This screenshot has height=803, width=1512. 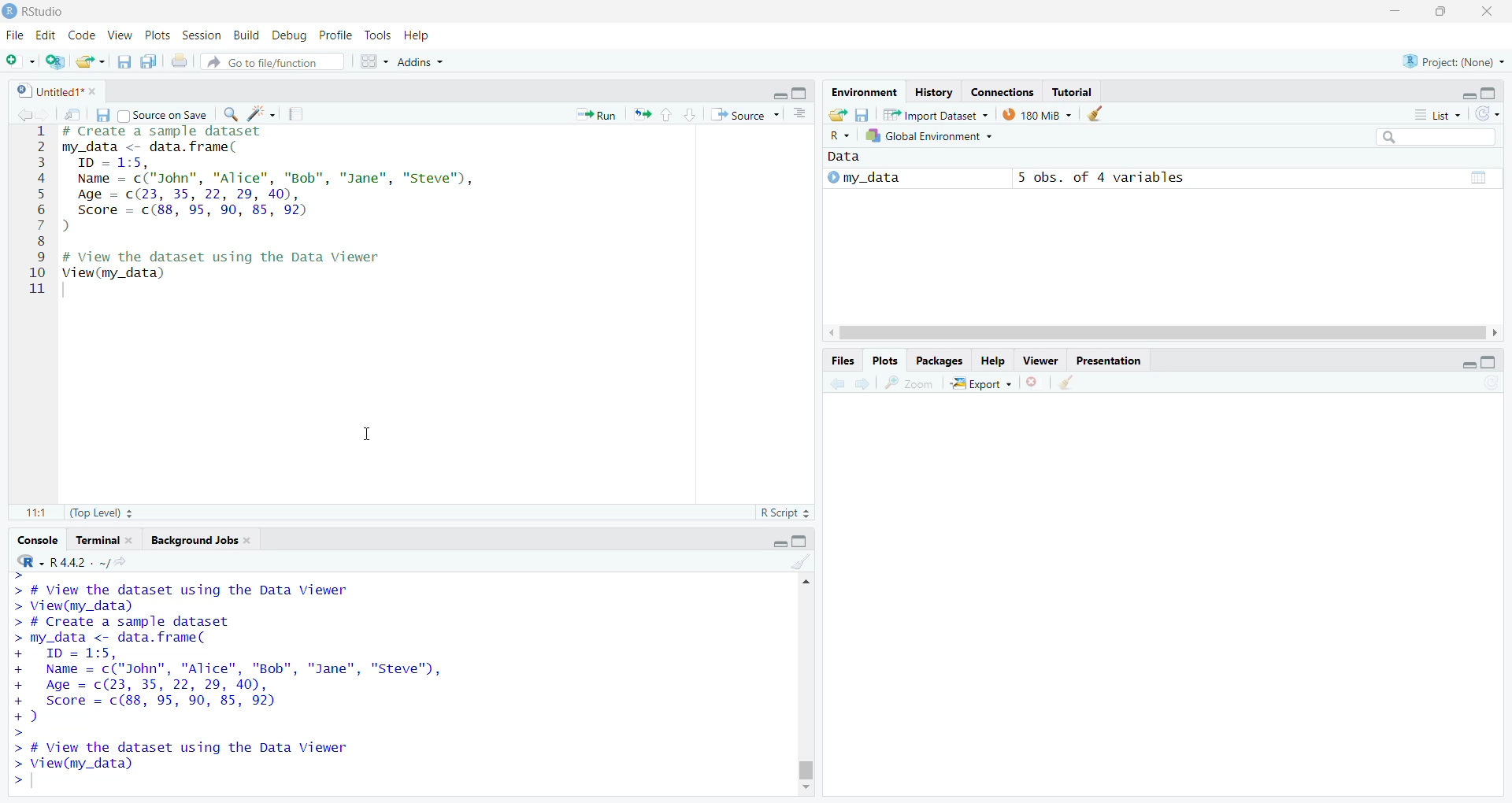 What do you see at coordinates (72, 113) in the screenshot?
I see `Search in file` at bounding box center [72, 113].